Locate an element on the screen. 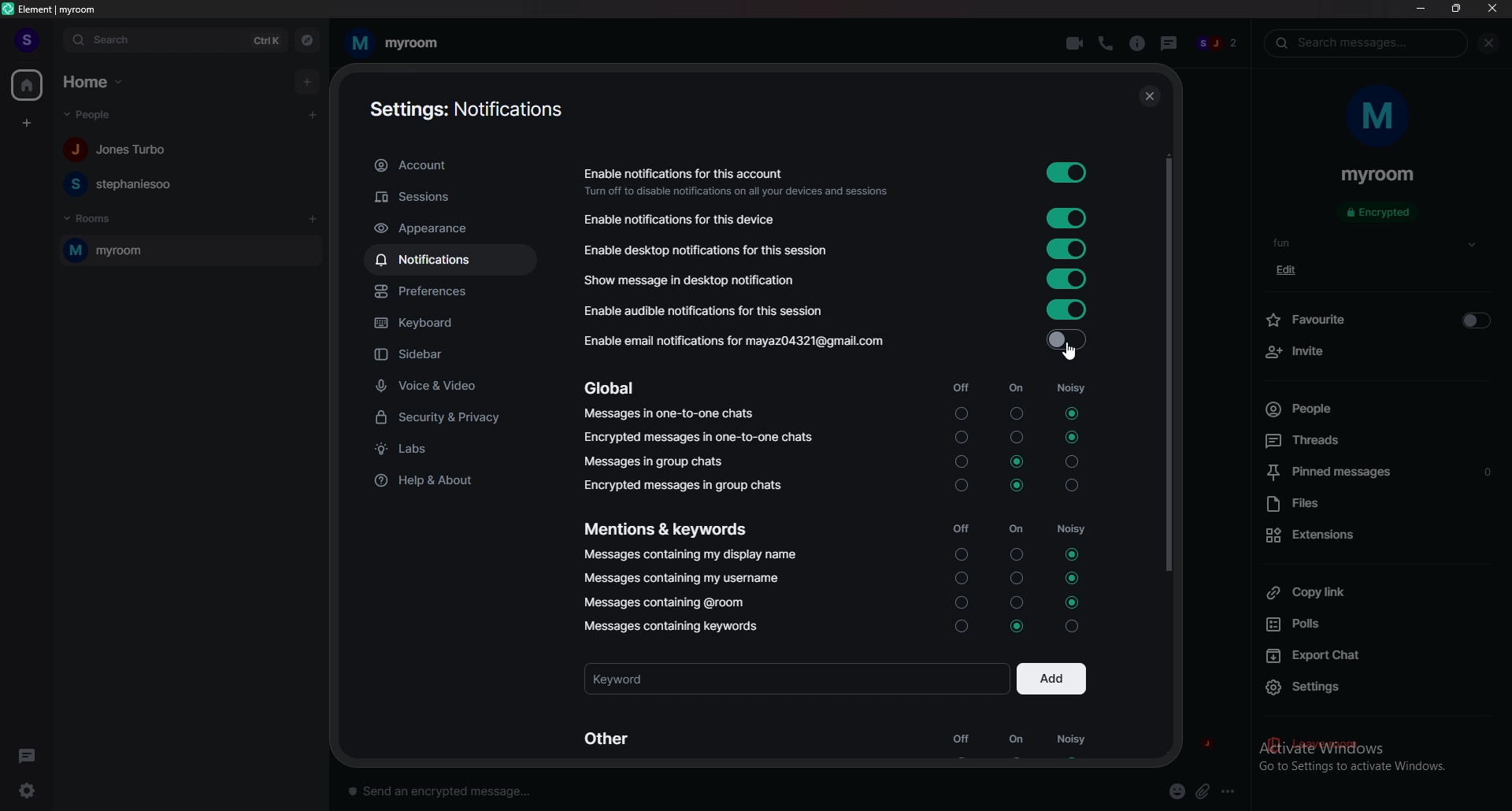 Image resolution: width=1512 pixels, height=811 pixels. favourite is located at coordinates (1377, 318).